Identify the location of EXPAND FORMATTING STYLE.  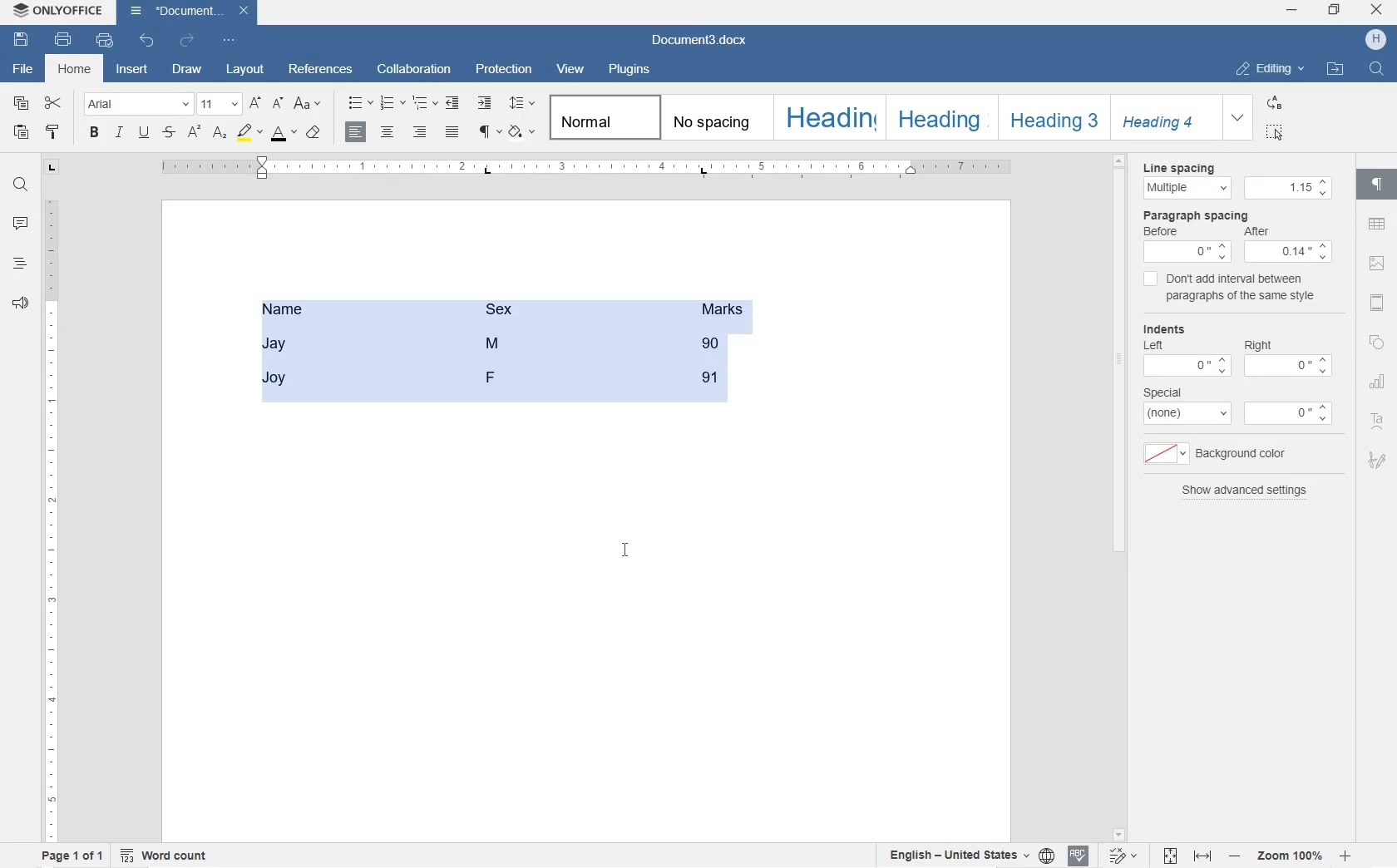
(1238, 118).